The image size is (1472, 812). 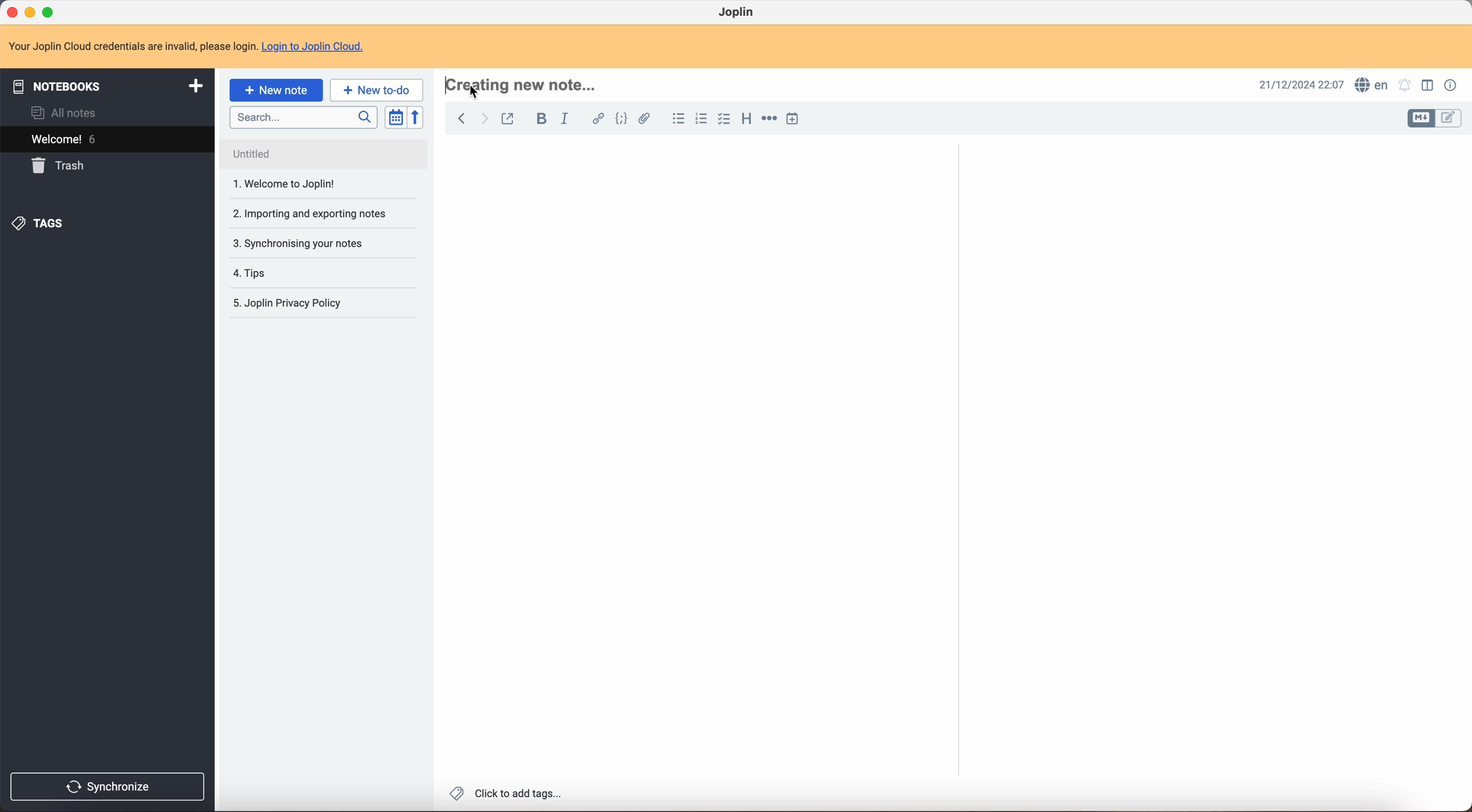 I want to click on bold, so click(x=543, y=118).